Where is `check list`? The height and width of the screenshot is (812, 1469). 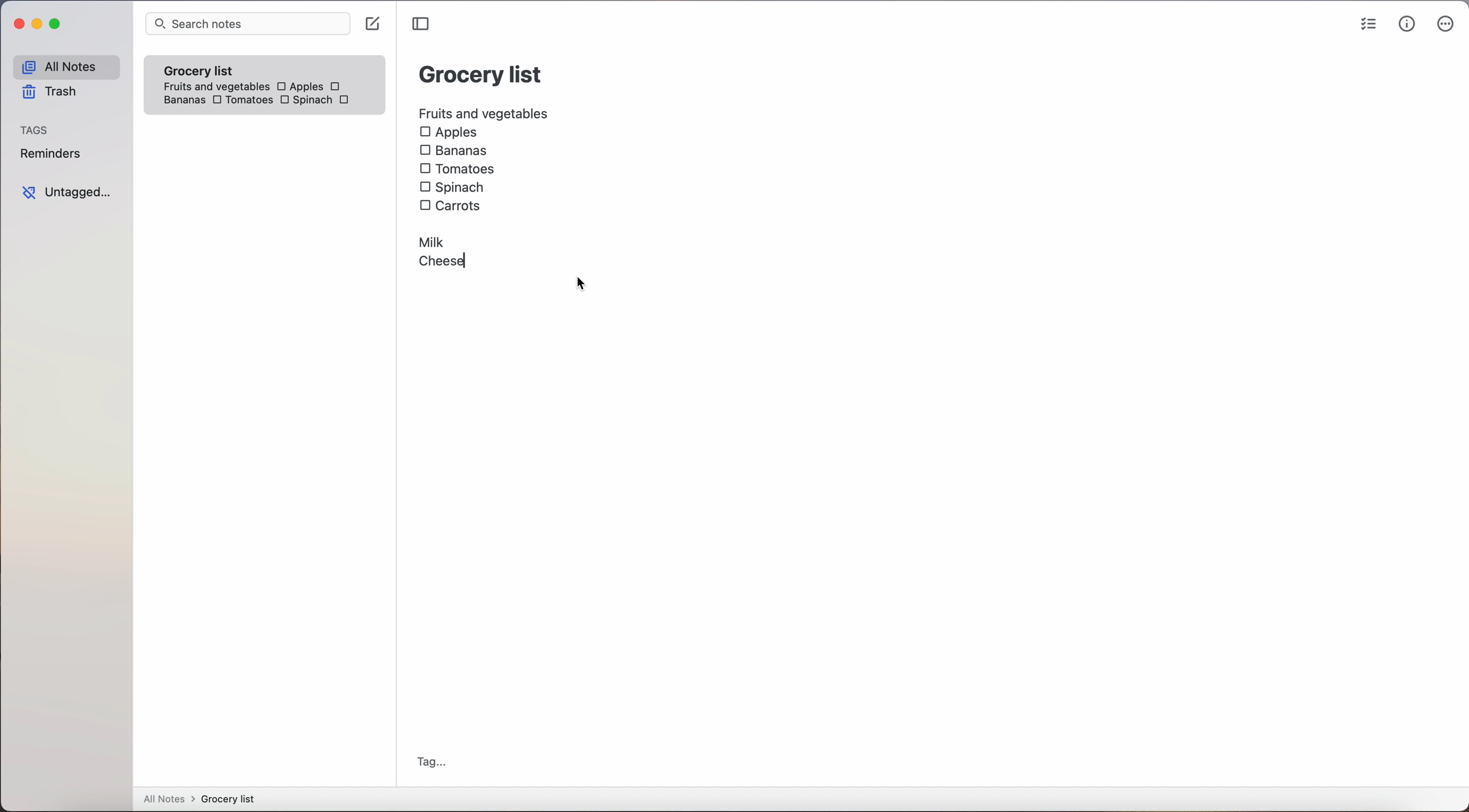 check list is located at coordinates (1364, 24).